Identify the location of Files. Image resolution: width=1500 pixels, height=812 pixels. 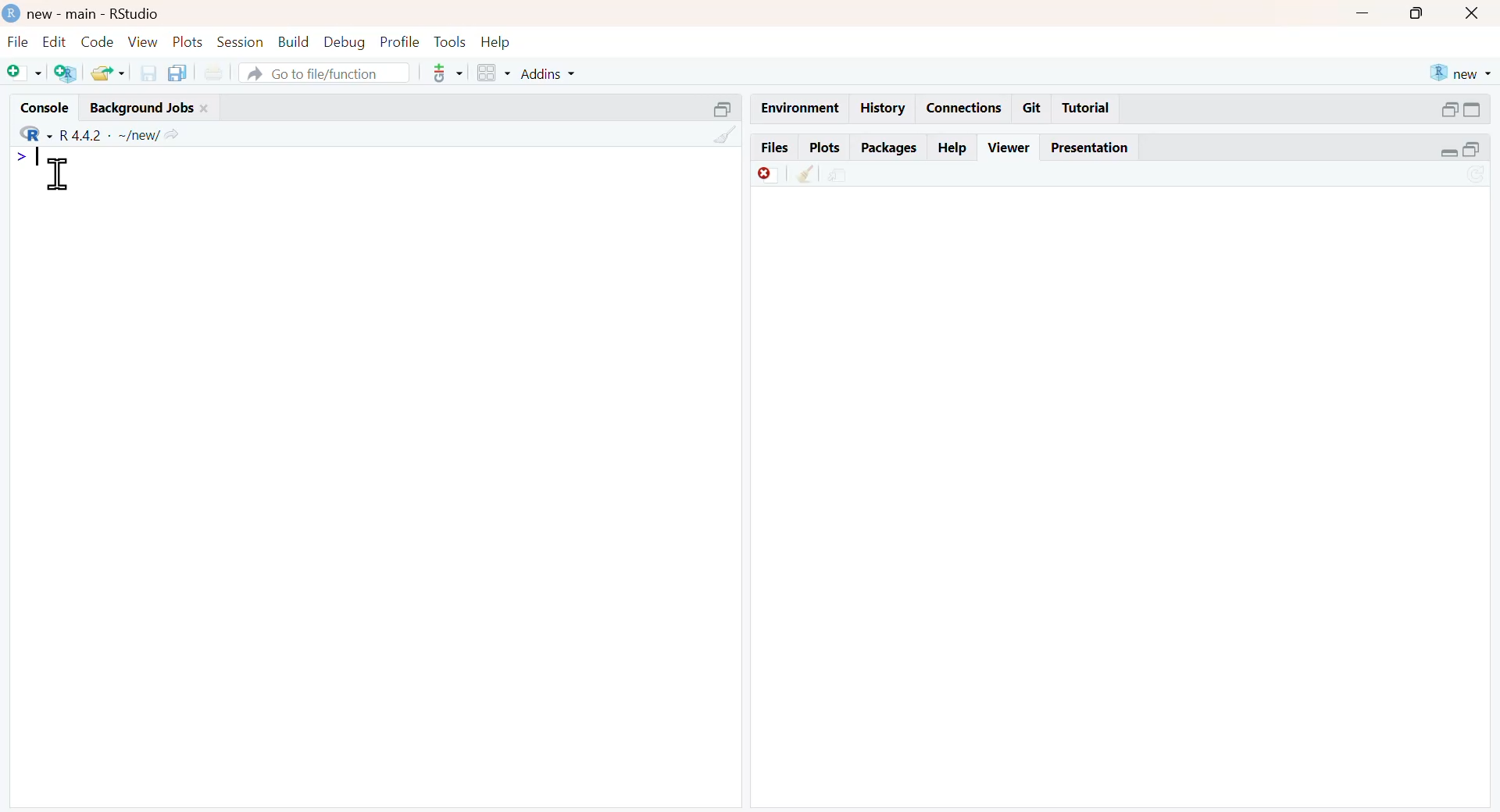
(775, 148).